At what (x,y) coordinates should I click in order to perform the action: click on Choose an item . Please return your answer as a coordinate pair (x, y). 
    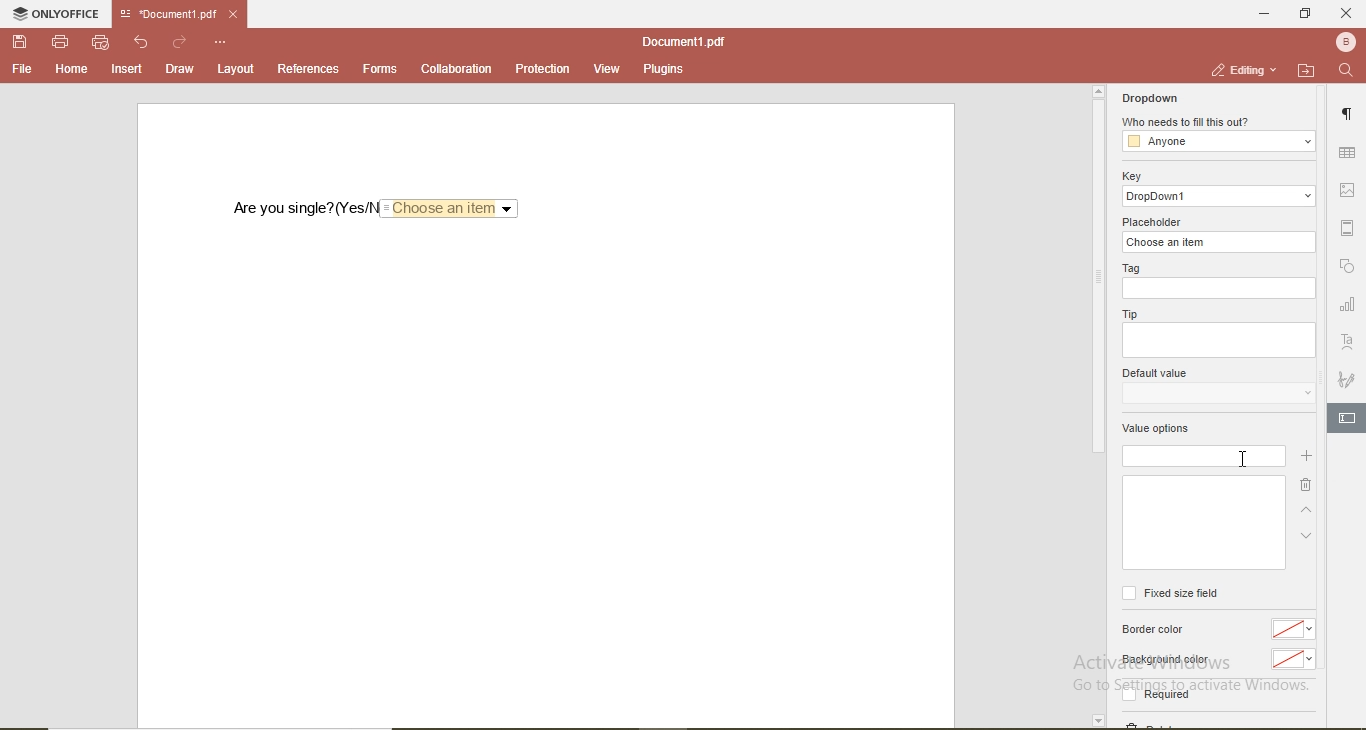
    Looking at the image, I should click on (450, 209).